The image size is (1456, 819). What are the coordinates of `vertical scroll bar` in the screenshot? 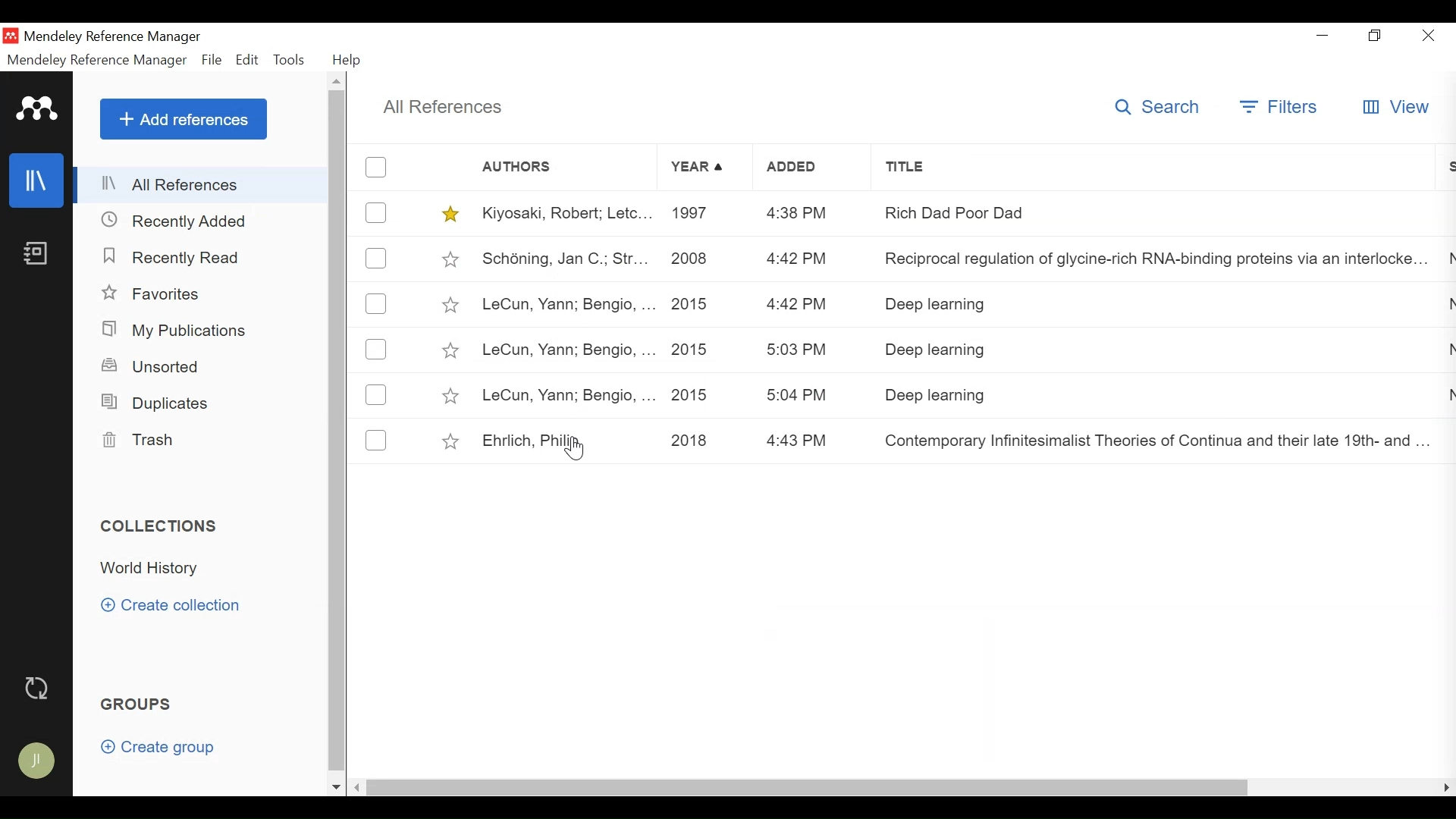 It's located at (336, 431).